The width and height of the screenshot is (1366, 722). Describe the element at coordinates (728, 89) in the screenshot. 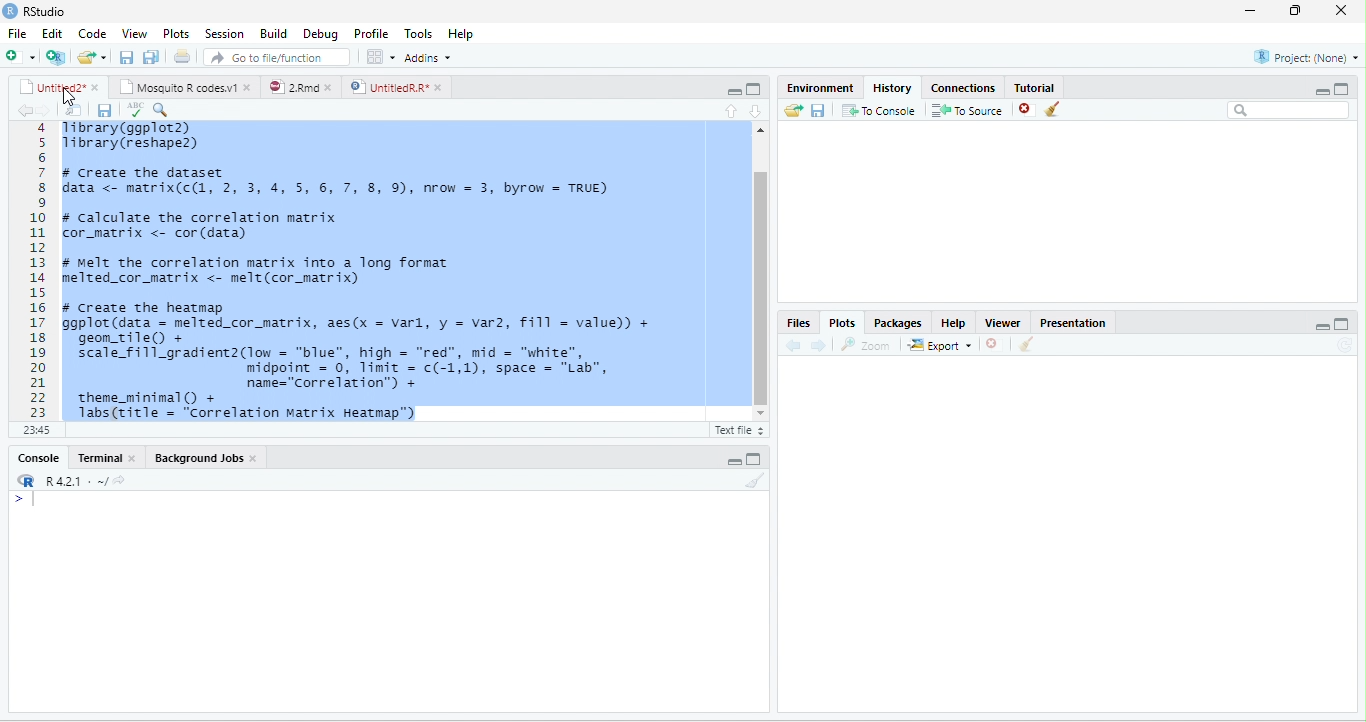

I see `minimize` at that location.